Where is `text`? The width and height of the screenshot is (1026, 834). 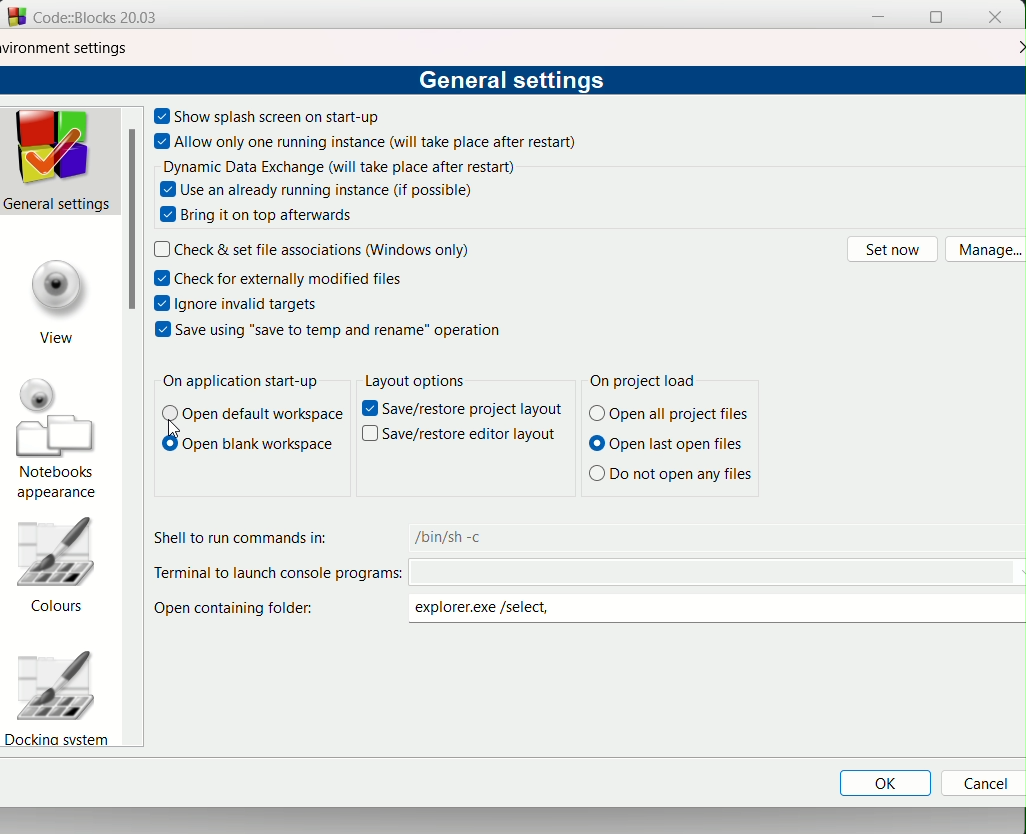 text is located at coordinates (292, 279).